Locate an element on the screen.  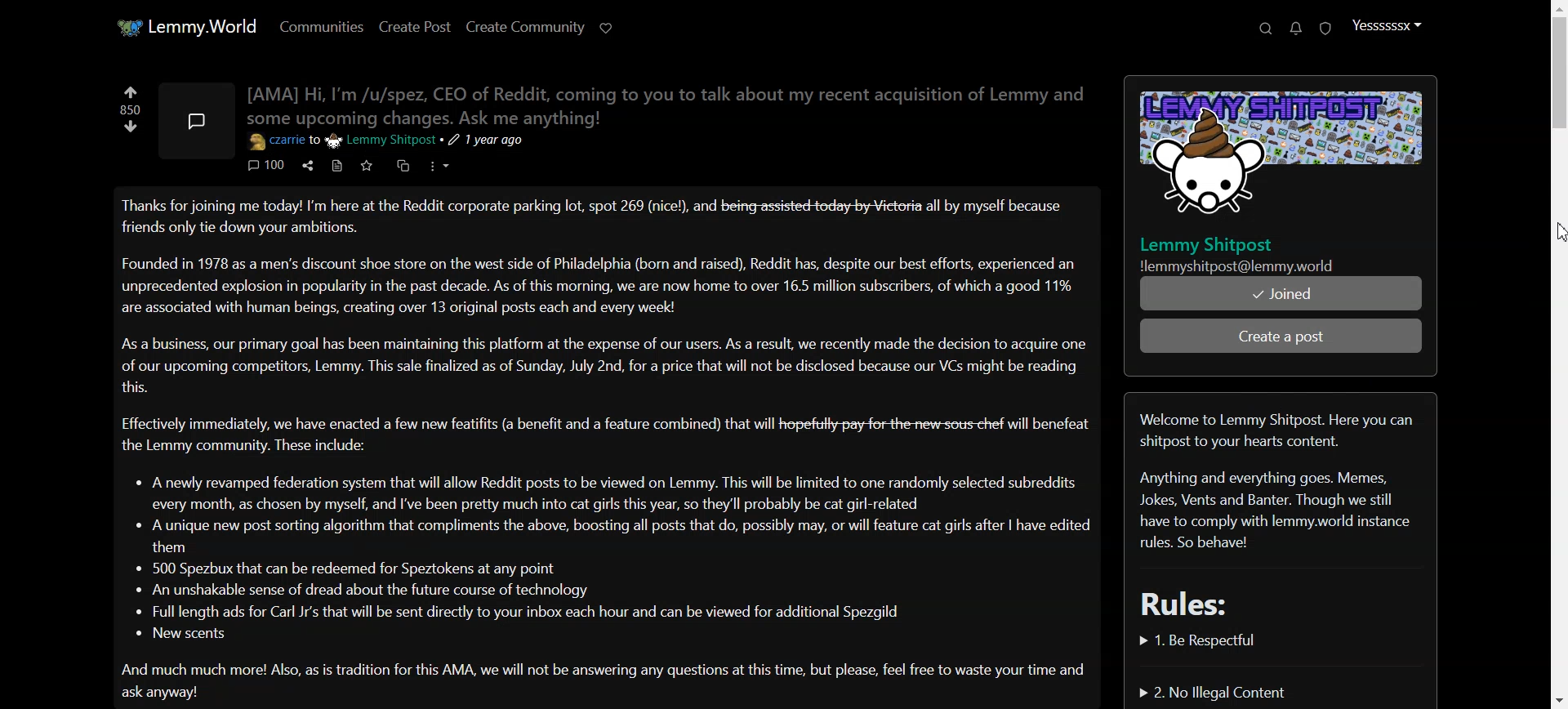
Support limmy is located at coordinates (608, 29).